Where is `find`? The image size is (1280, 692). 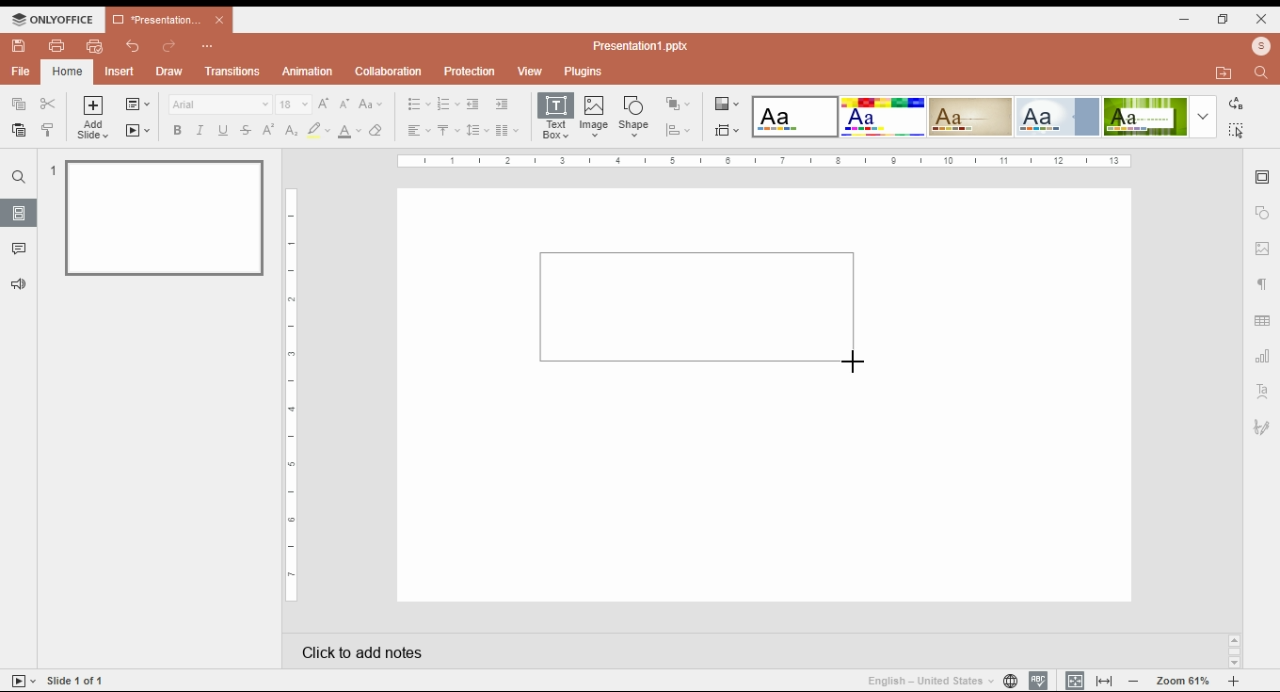 find is located at coordinates (1260, 74).